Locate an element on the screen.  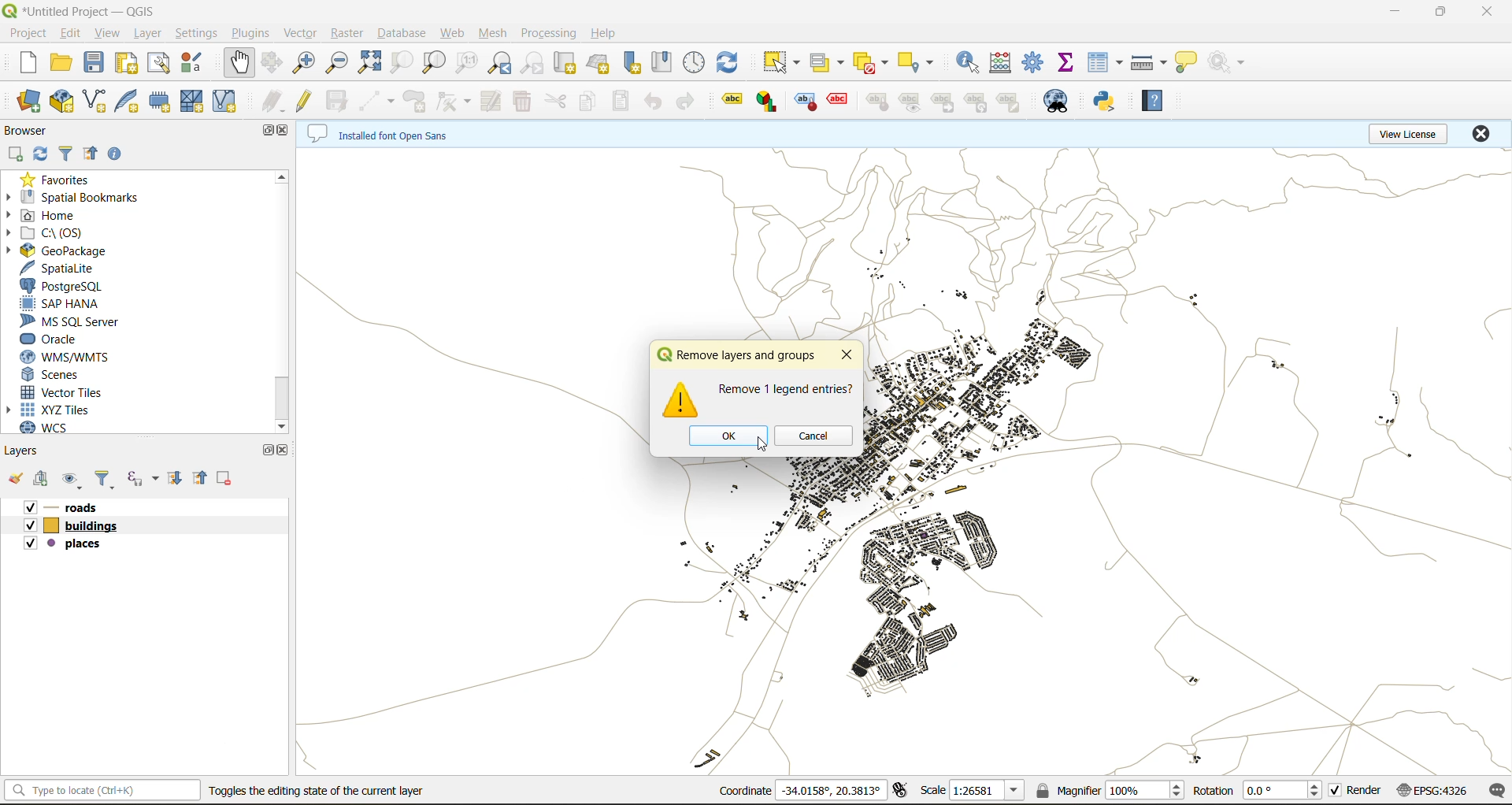
zoom last is located at coordinates (498, 63).